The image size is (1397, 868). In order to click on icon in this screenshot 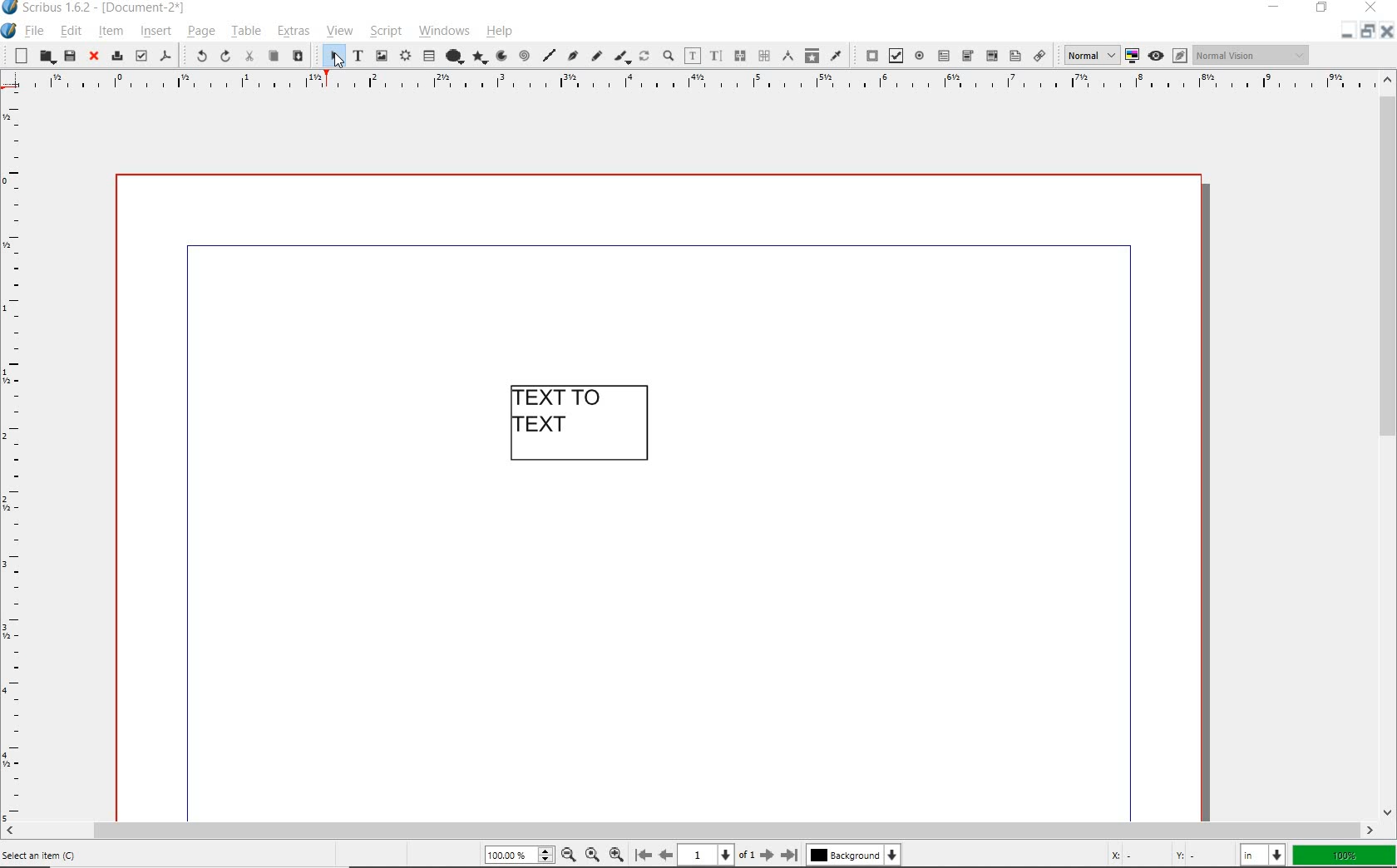, I will do `click(10, 10)`.